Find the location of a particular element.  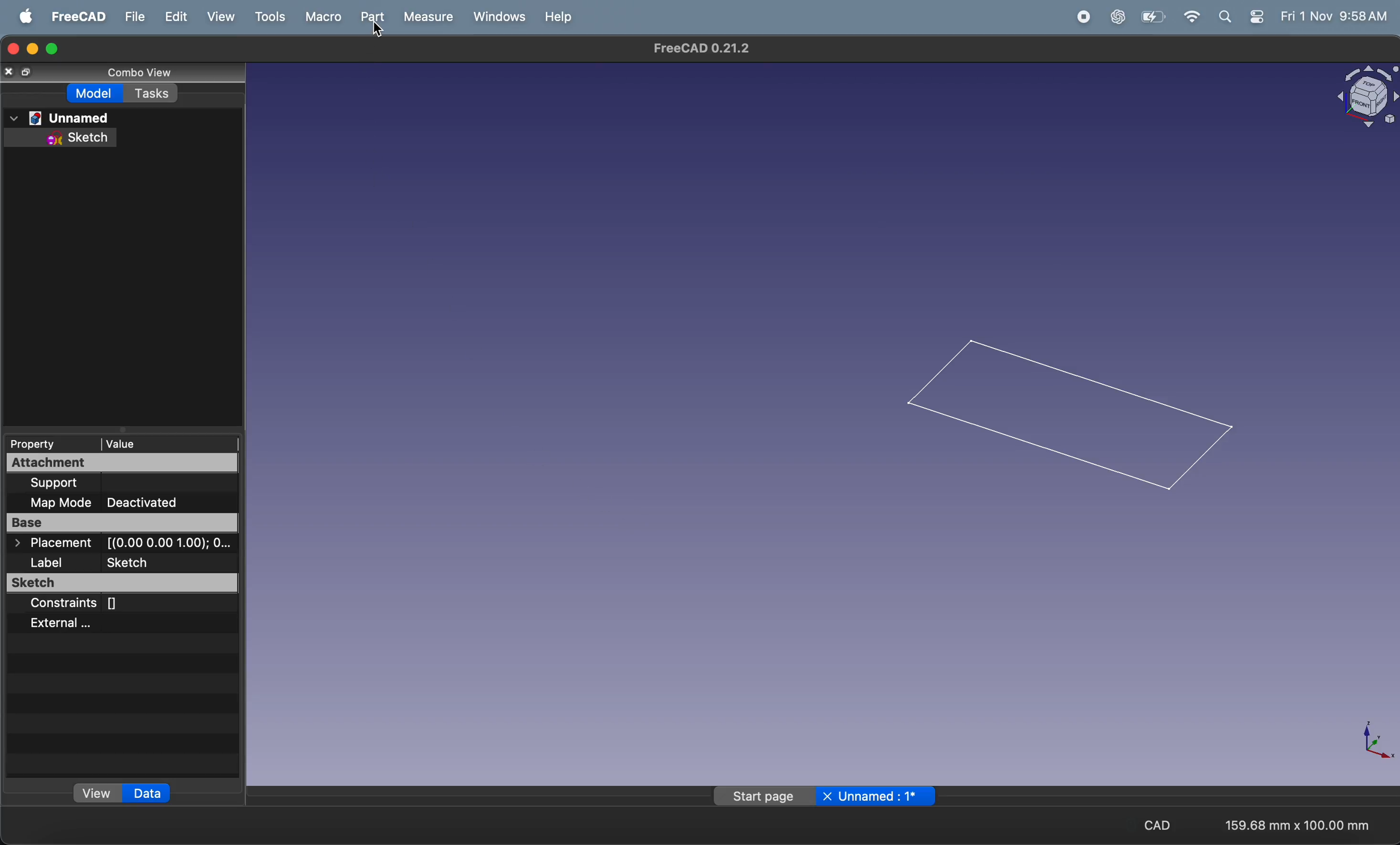

wifi is located at coordinates (1192, 17).